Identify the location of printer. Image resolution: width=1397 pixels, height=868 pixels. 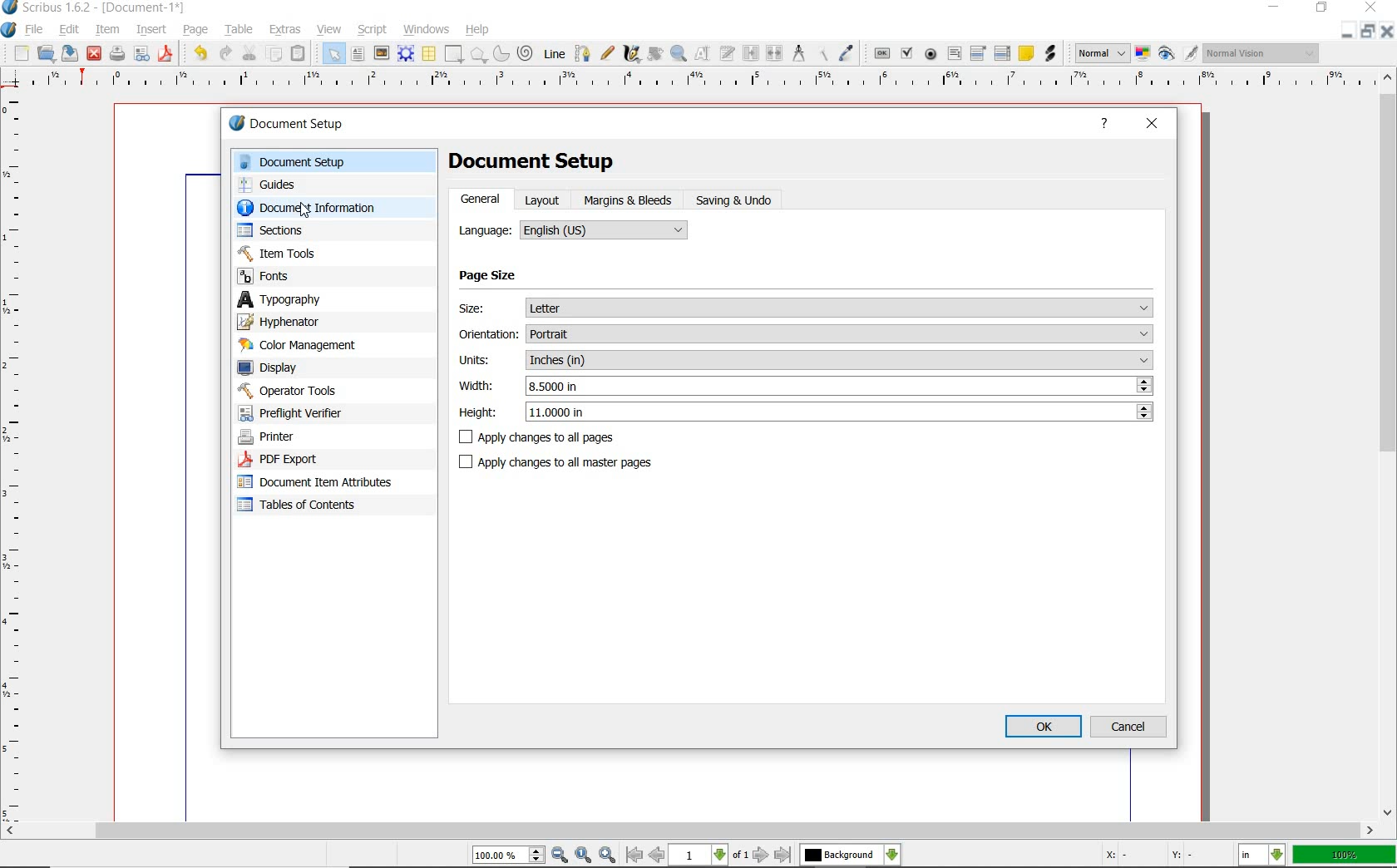
(306, 437).